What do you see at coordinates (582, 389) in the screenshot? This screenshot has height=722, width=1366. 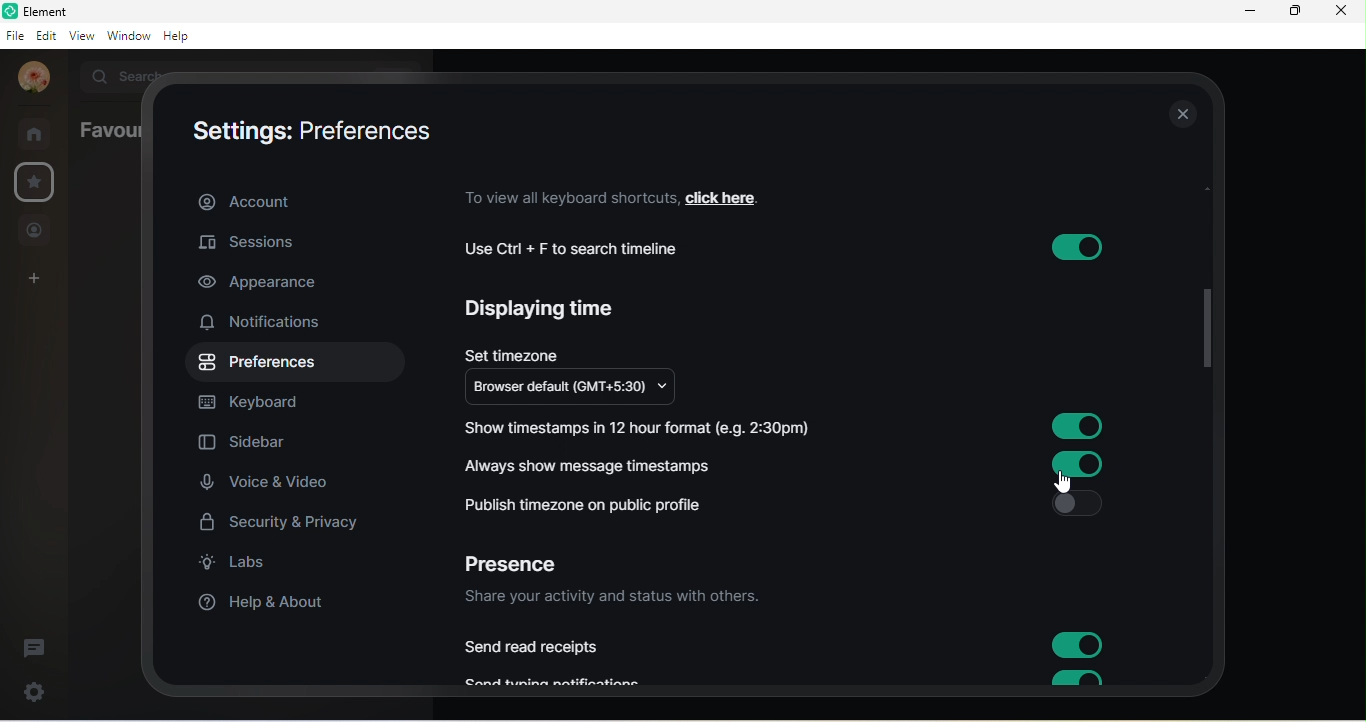 I see `browser default` at bounding box center [582, 389].